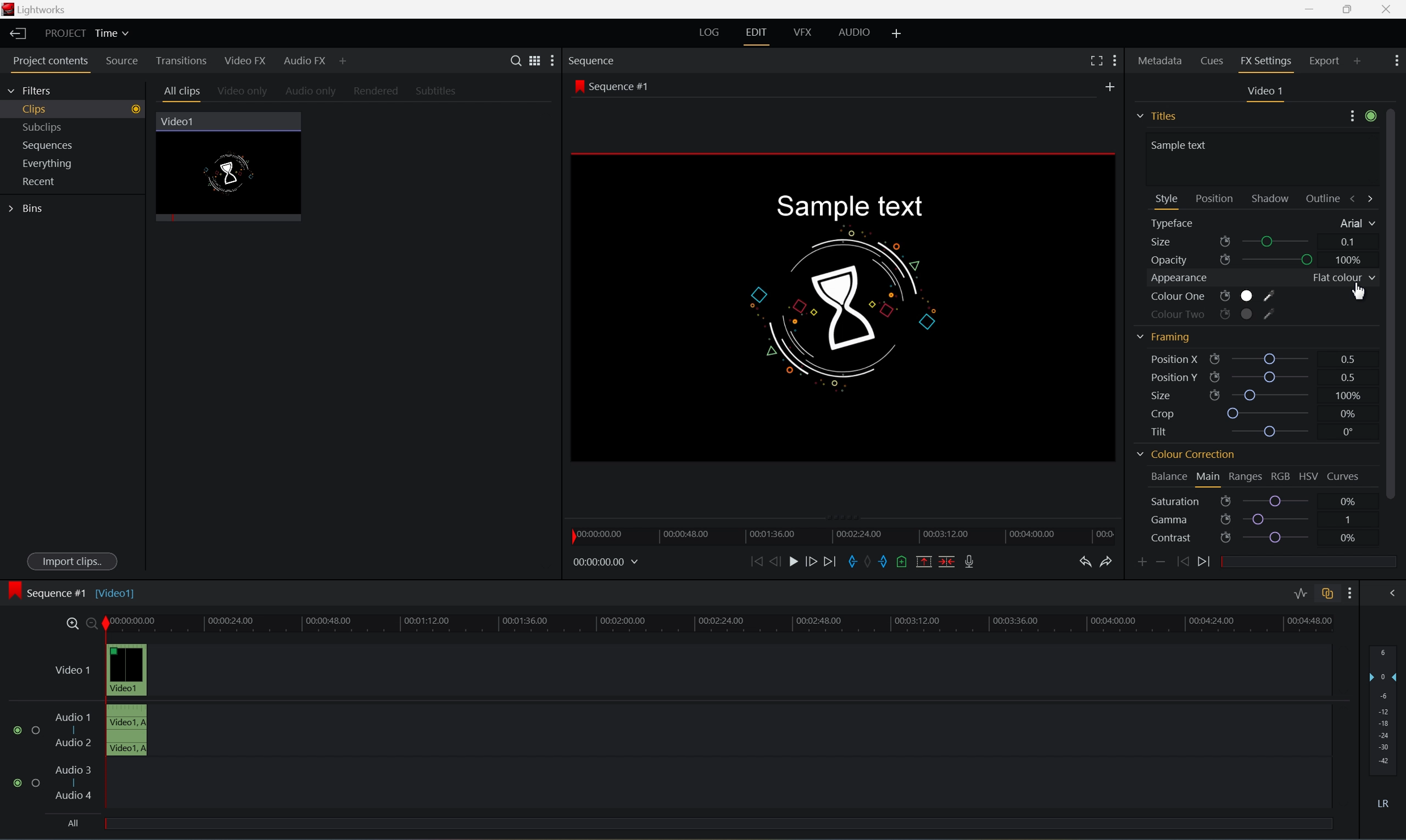 Image resolution: width=1406 pixels, height=840 pixels. What do you see at coordinates (972, 561) in the screenshot?
I see `record a voice-over` at bounding box center [972, 561].